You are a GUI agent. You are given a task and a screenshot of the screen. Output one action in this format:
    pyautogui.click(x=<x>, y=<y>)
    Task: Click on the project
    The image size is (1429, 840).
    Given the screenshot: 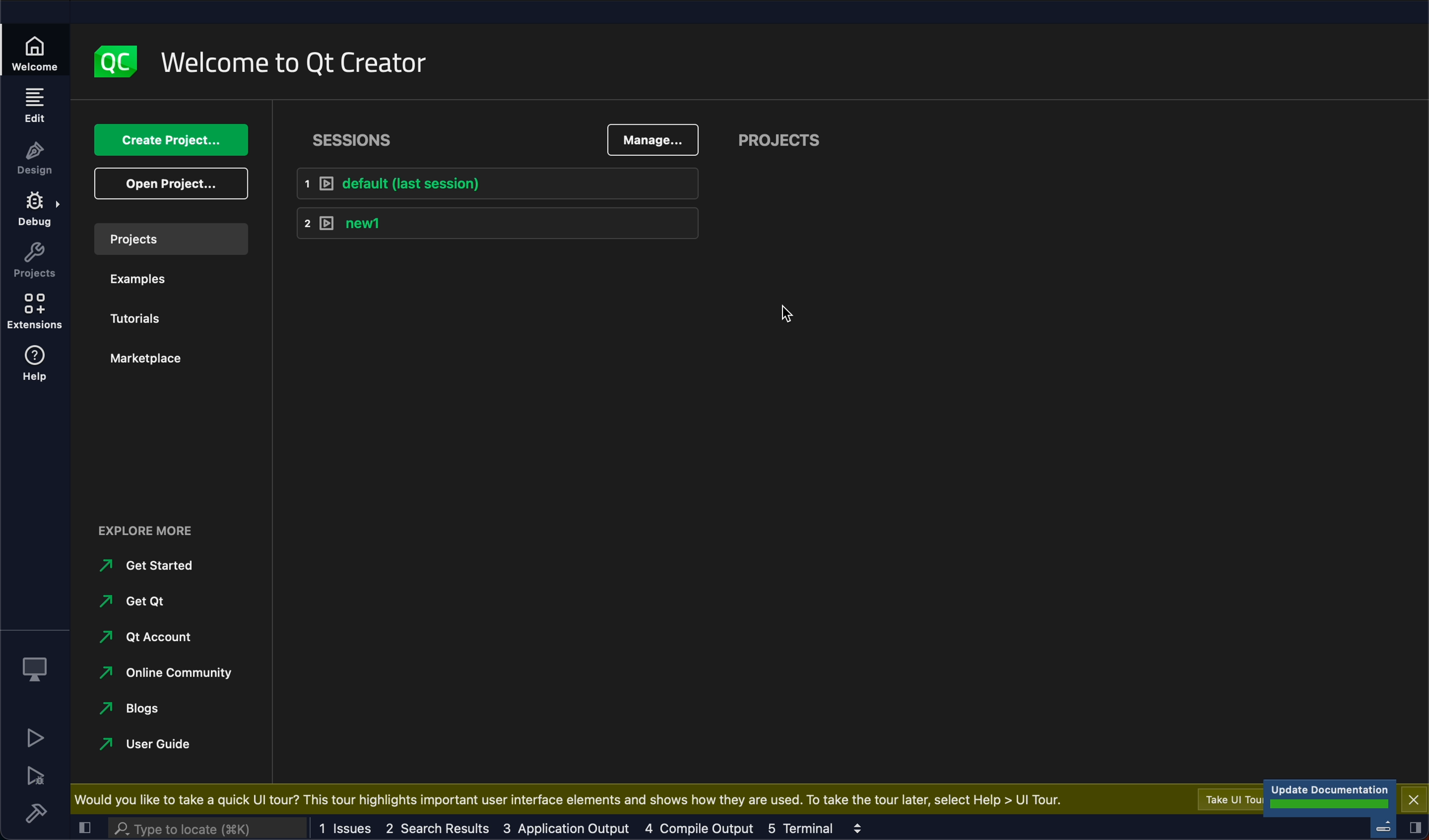 What is the action you would take?
    pyautogui.click(x=34, y=261)
    